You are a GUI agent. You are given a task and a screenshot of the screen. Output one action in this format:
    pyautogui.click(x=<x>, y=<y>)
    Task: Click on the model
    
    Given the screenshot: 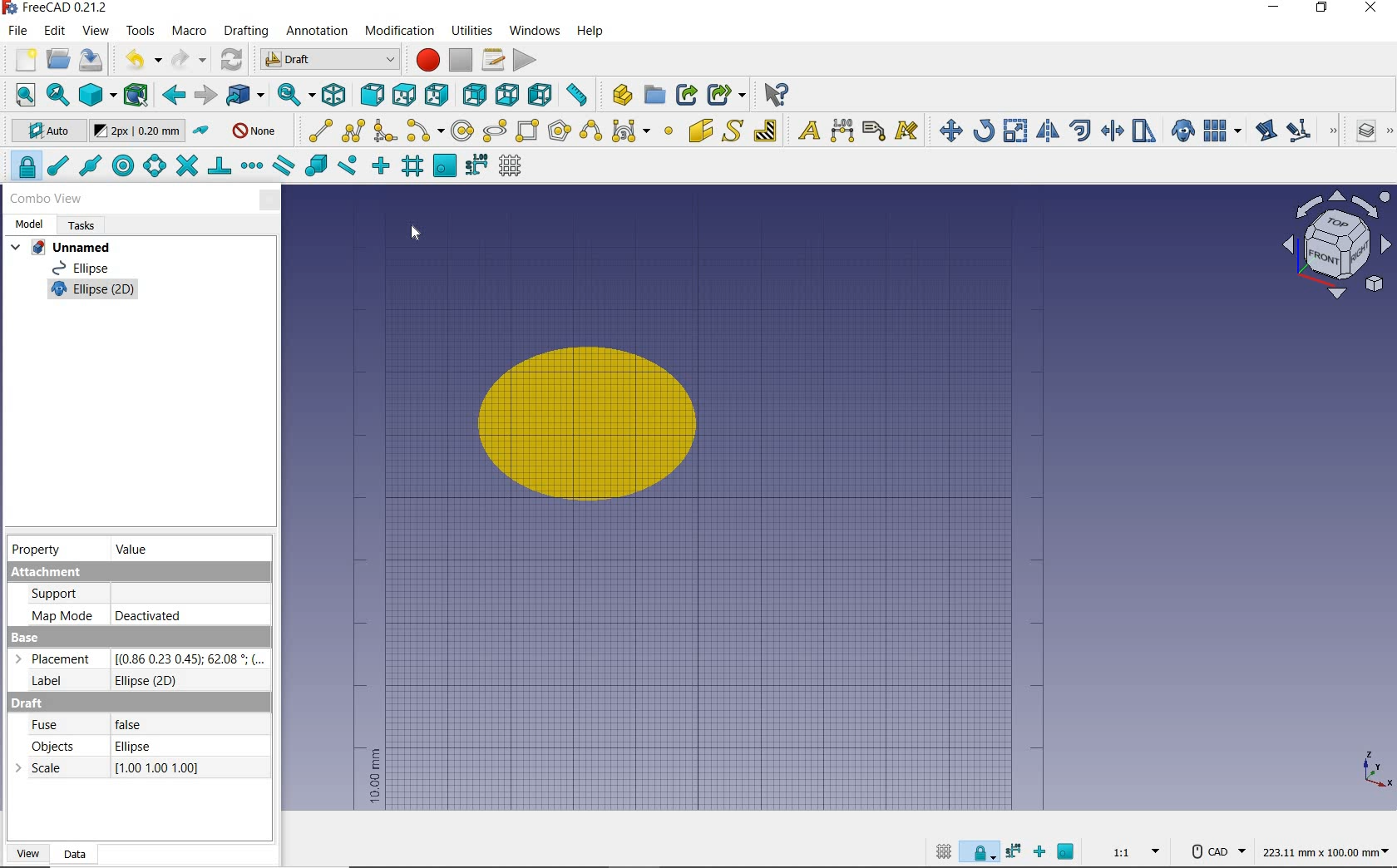 What is the action you would take?
    pyautogui.click(x=31, y=224)
    